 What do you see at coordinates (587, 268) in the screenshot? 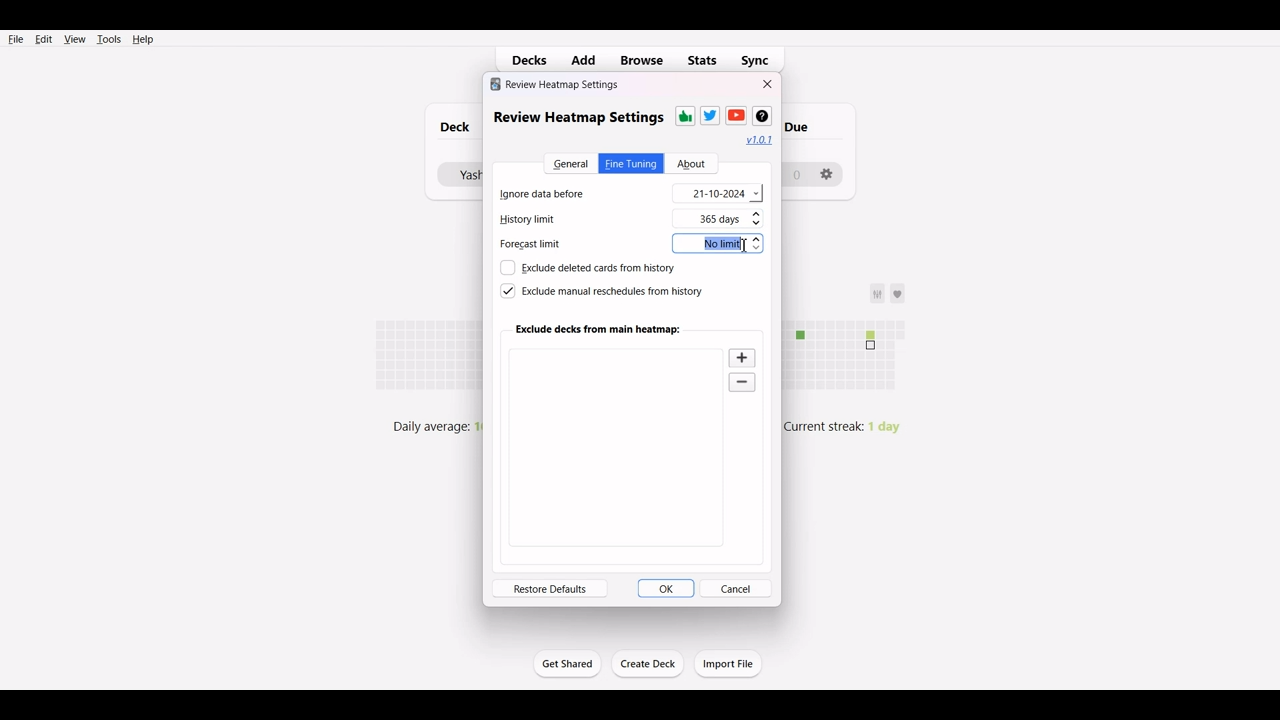
I see `Exclude deleted cards from history` at bounding box center [587, 268].